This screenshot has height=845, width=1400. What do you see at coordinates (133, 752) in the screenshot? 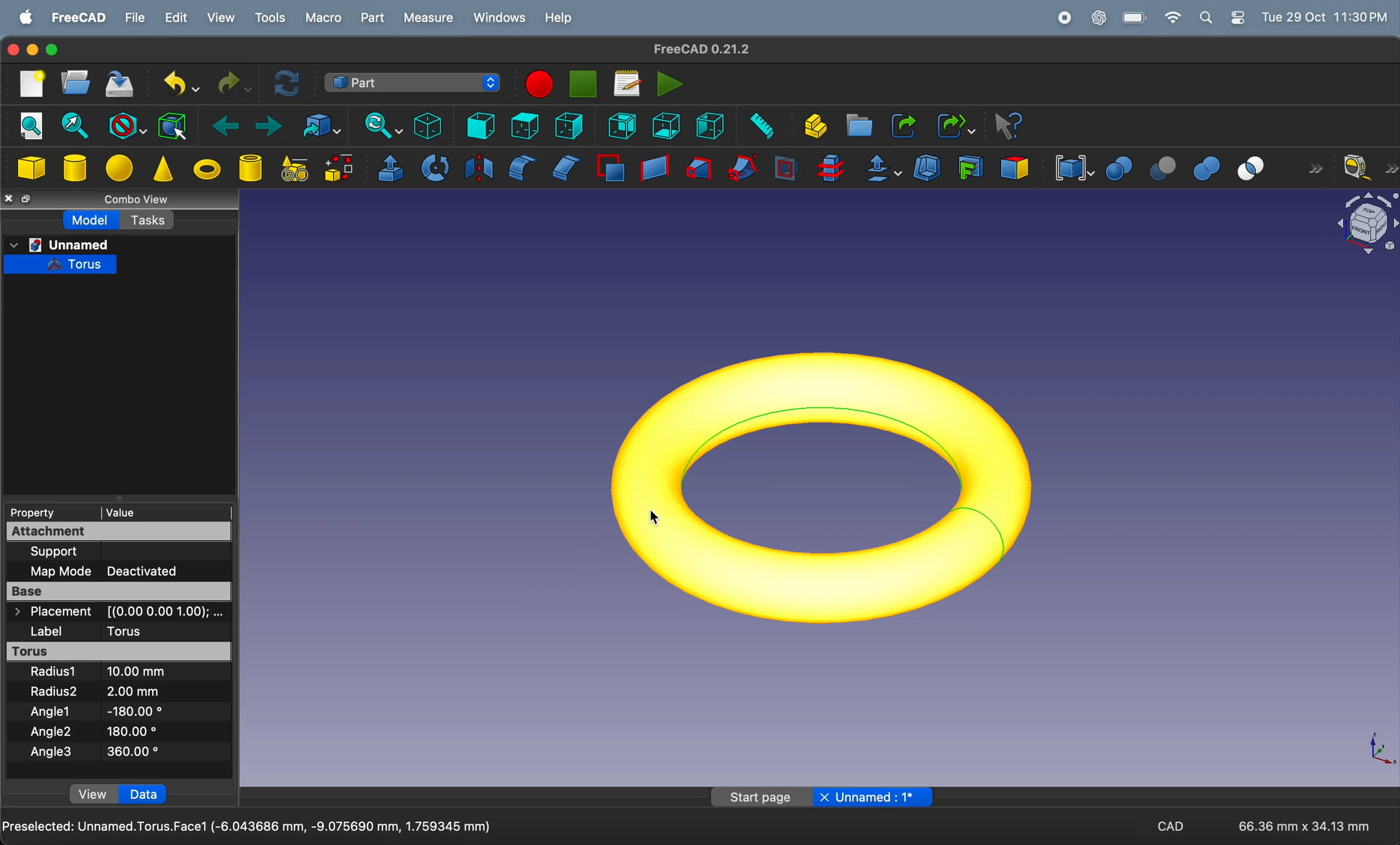
I see `360.00` at bounding box center [133, 752].